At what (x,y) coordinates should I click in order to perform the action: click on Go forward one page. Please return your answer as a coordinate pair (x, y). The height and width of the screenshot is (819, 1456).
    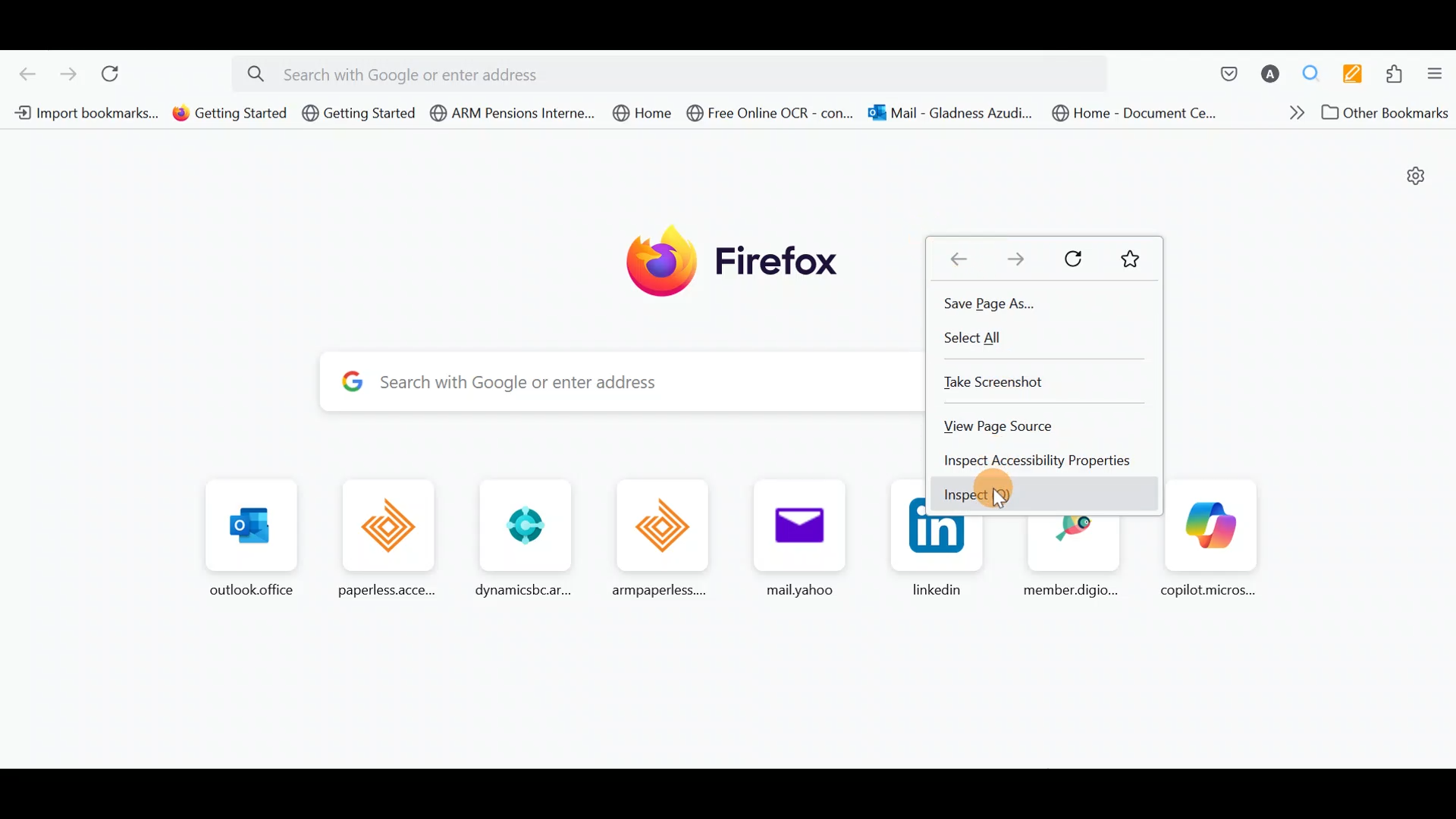
    Looking at the image, I should click on (1011, 262).